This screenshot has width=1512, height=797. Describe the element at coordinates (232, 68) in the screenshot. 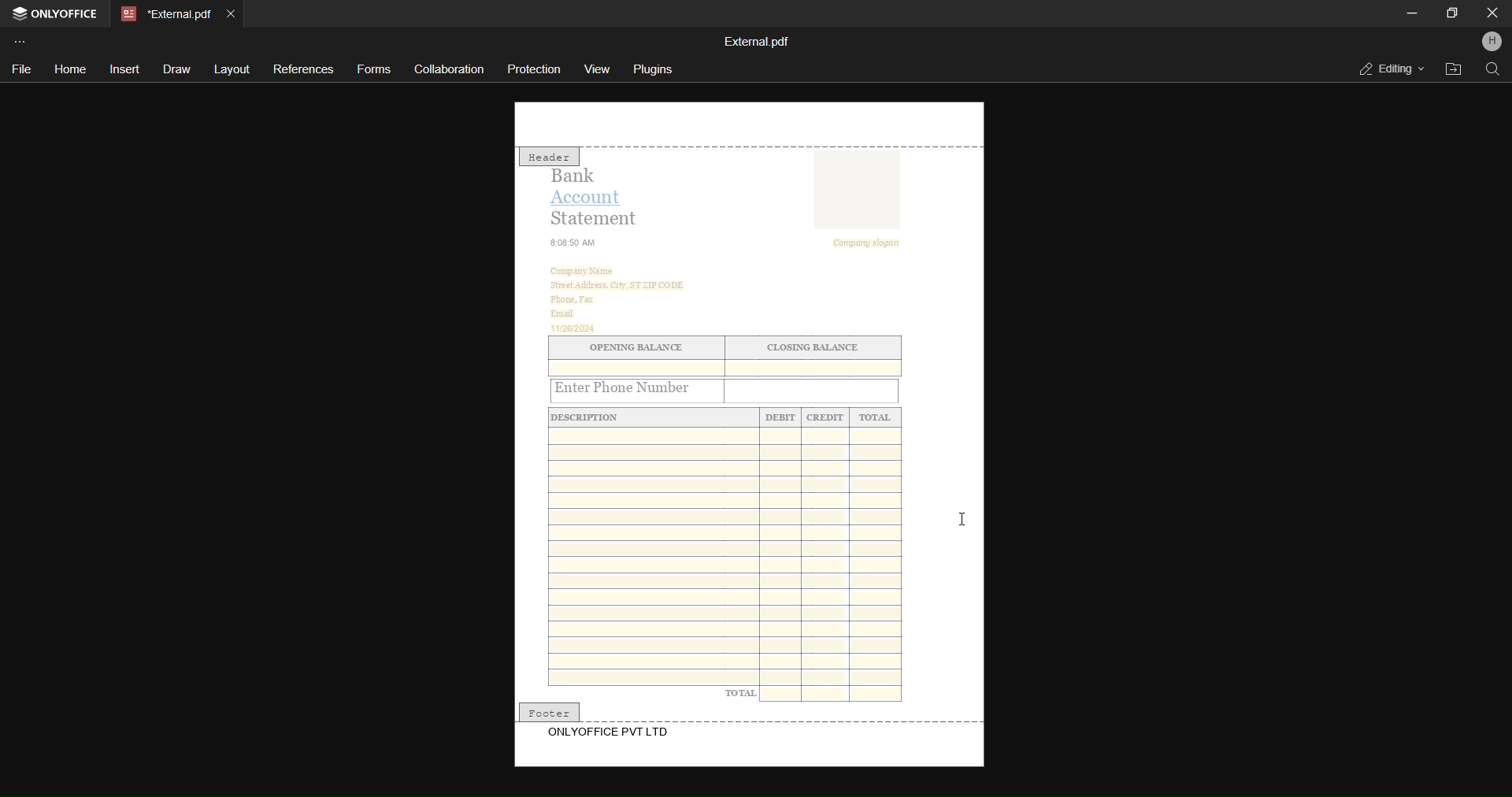

I see `layout` at that location.